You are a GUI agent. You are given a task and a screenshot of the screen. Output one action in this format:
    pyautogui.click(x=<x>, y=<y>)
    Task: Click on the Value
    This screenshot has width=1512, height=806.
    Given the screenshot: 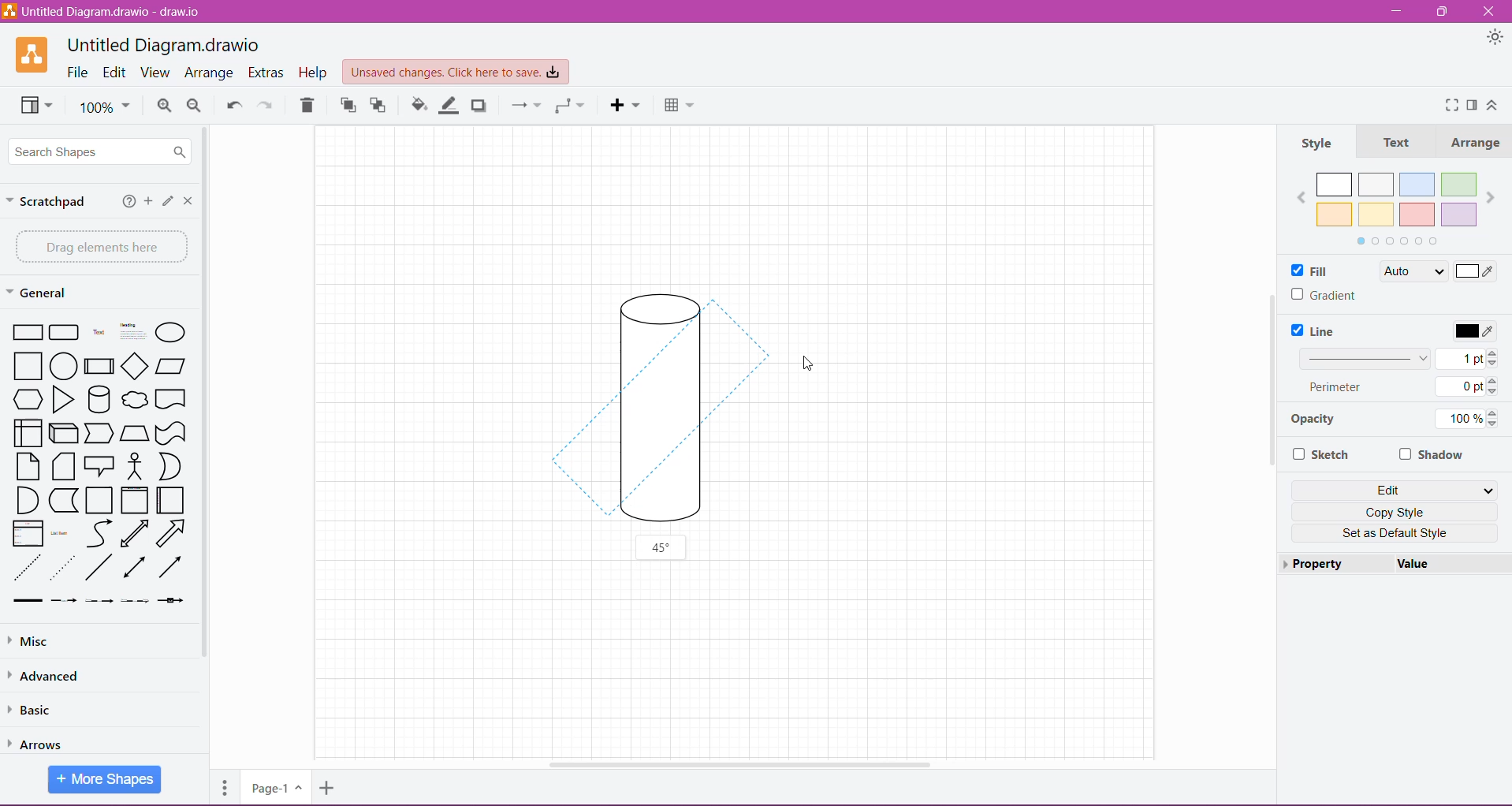 What is the action you would take?
    pyautogui.click(x=1415, y=564)
    